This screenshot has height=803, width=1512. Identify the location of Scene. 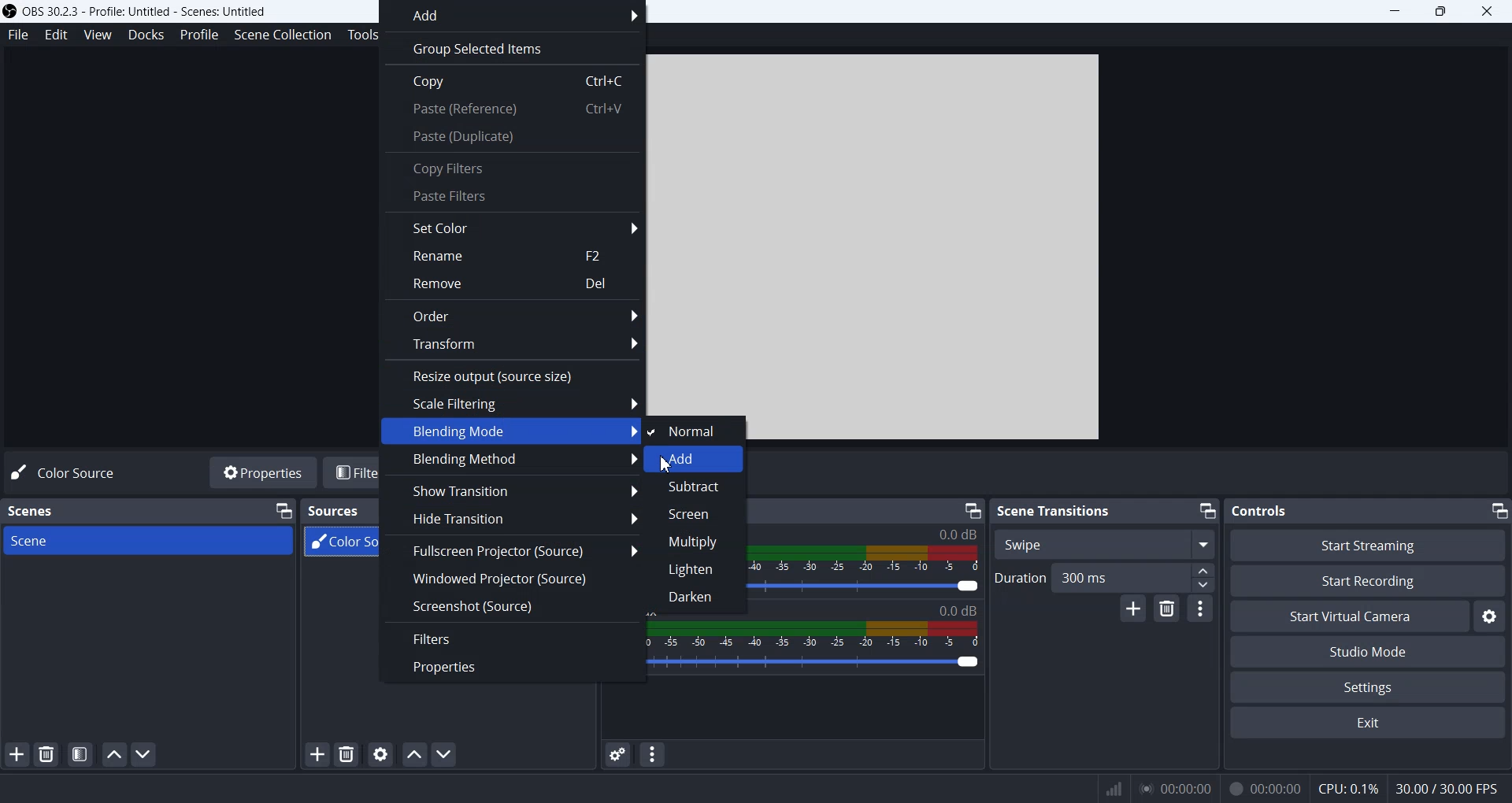
(150, 541).